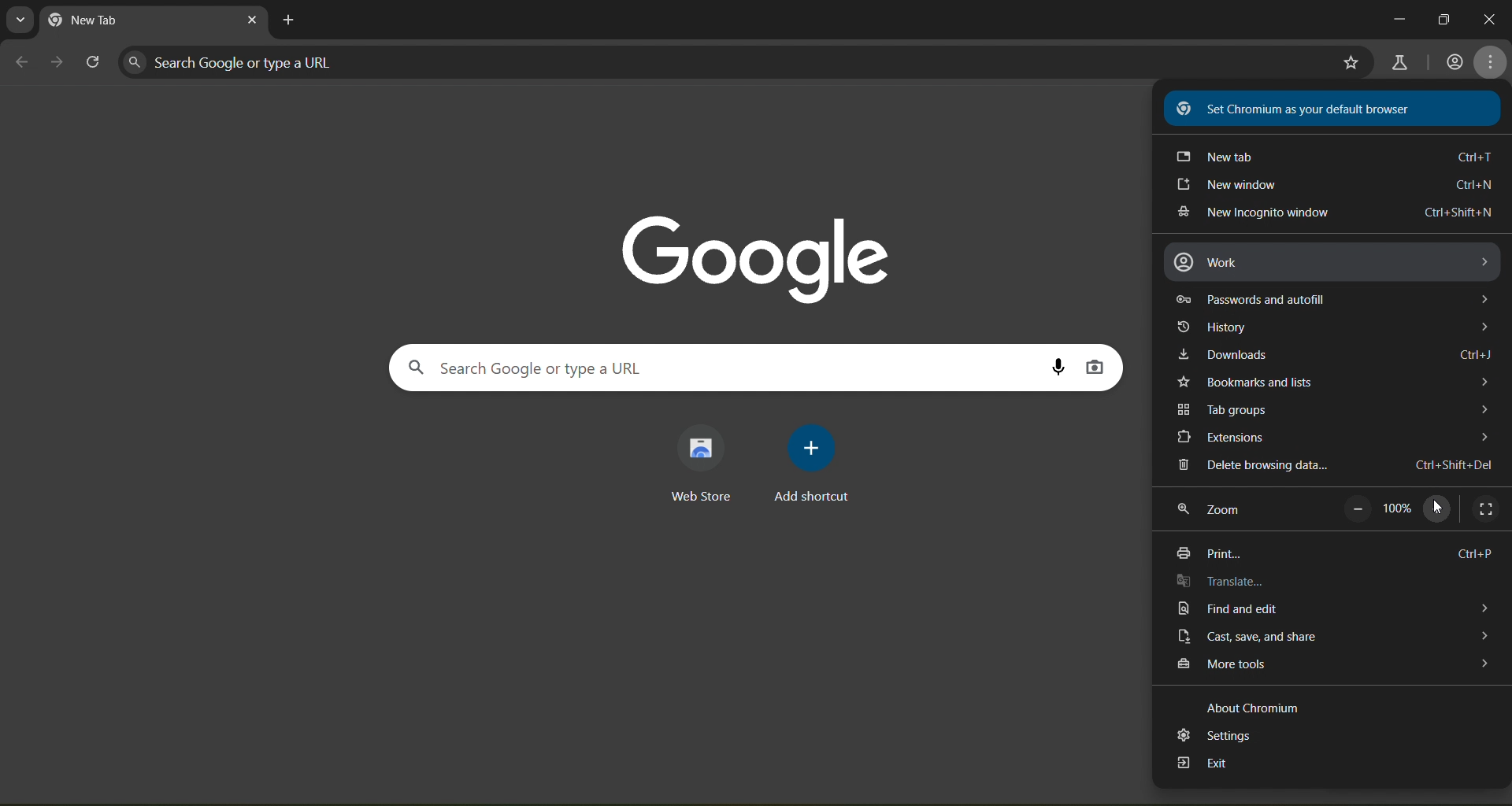  Describe the element at coordinates (21, 20) in the screenshot. I see `search tab` at that location.